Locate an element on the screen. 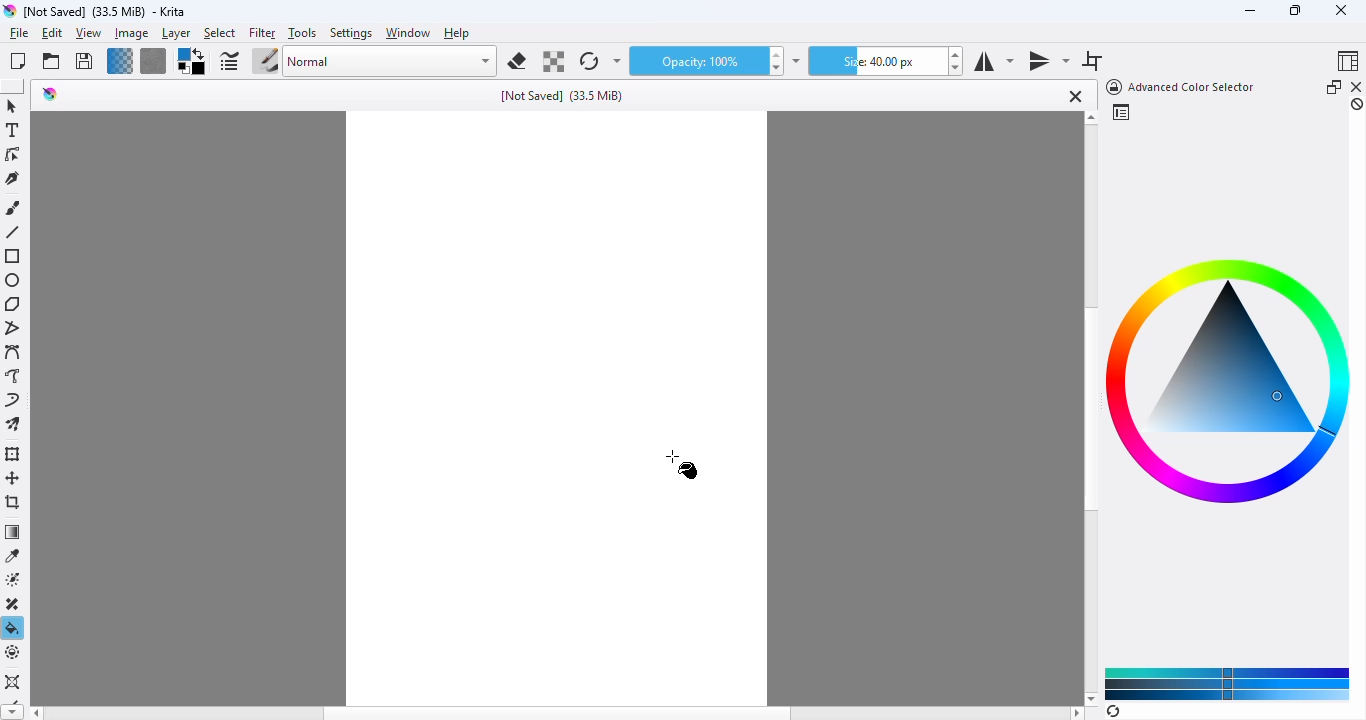  minimize is located at coordinates (1250, 11).